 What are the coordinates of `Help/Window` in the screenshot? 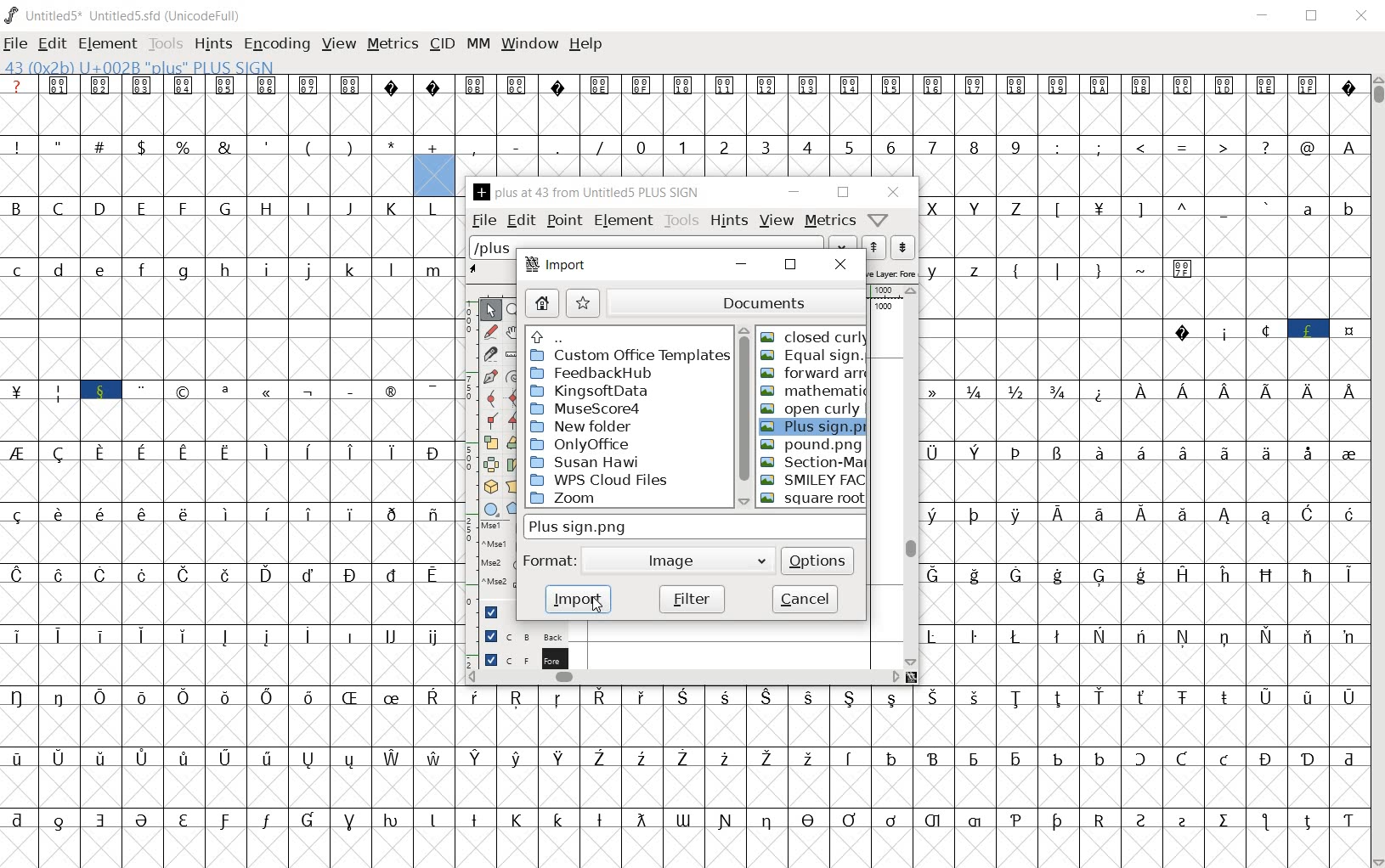 It's located at (880, 220).